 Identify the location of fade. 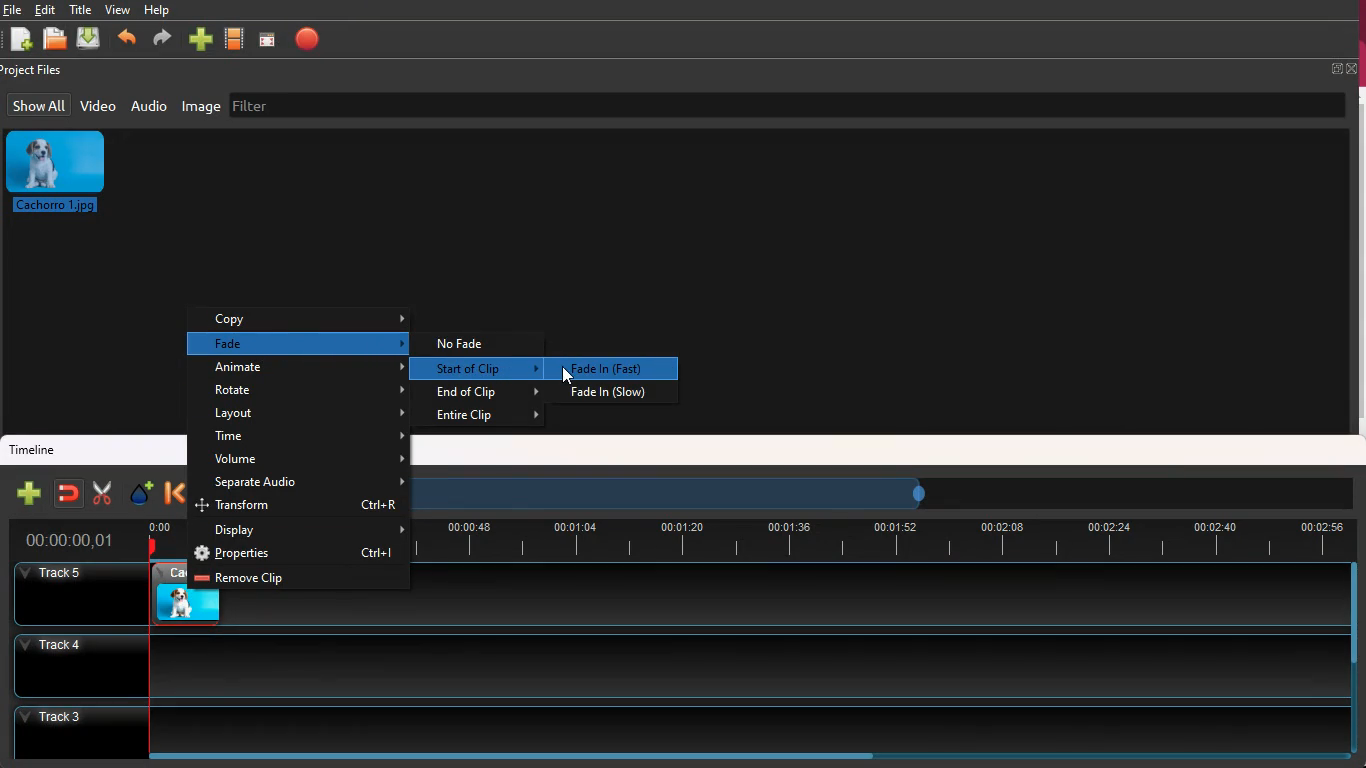
(309, 343).